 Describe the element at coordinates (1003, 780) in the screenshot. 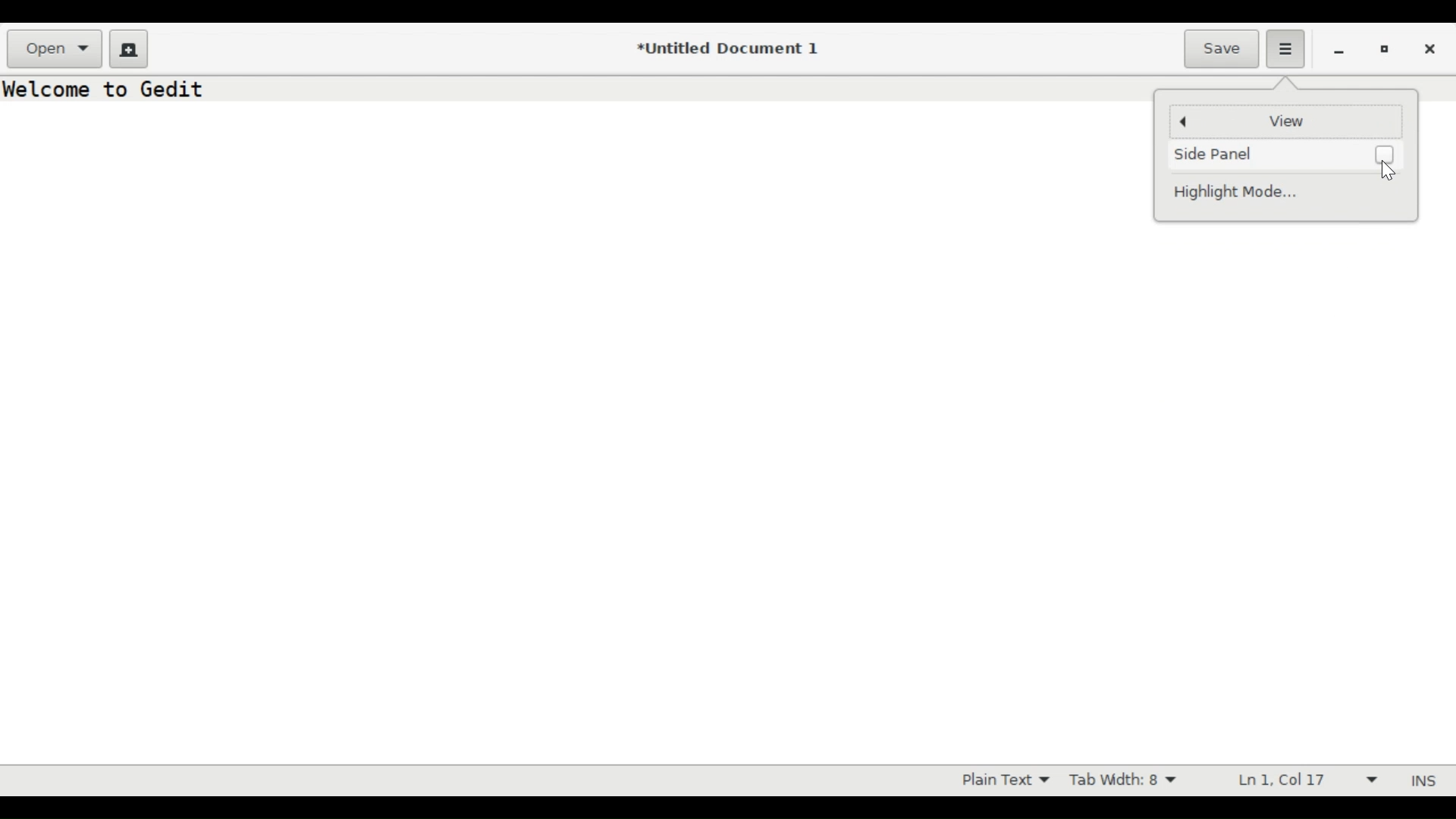

I see `Highlight mode option` at that location.